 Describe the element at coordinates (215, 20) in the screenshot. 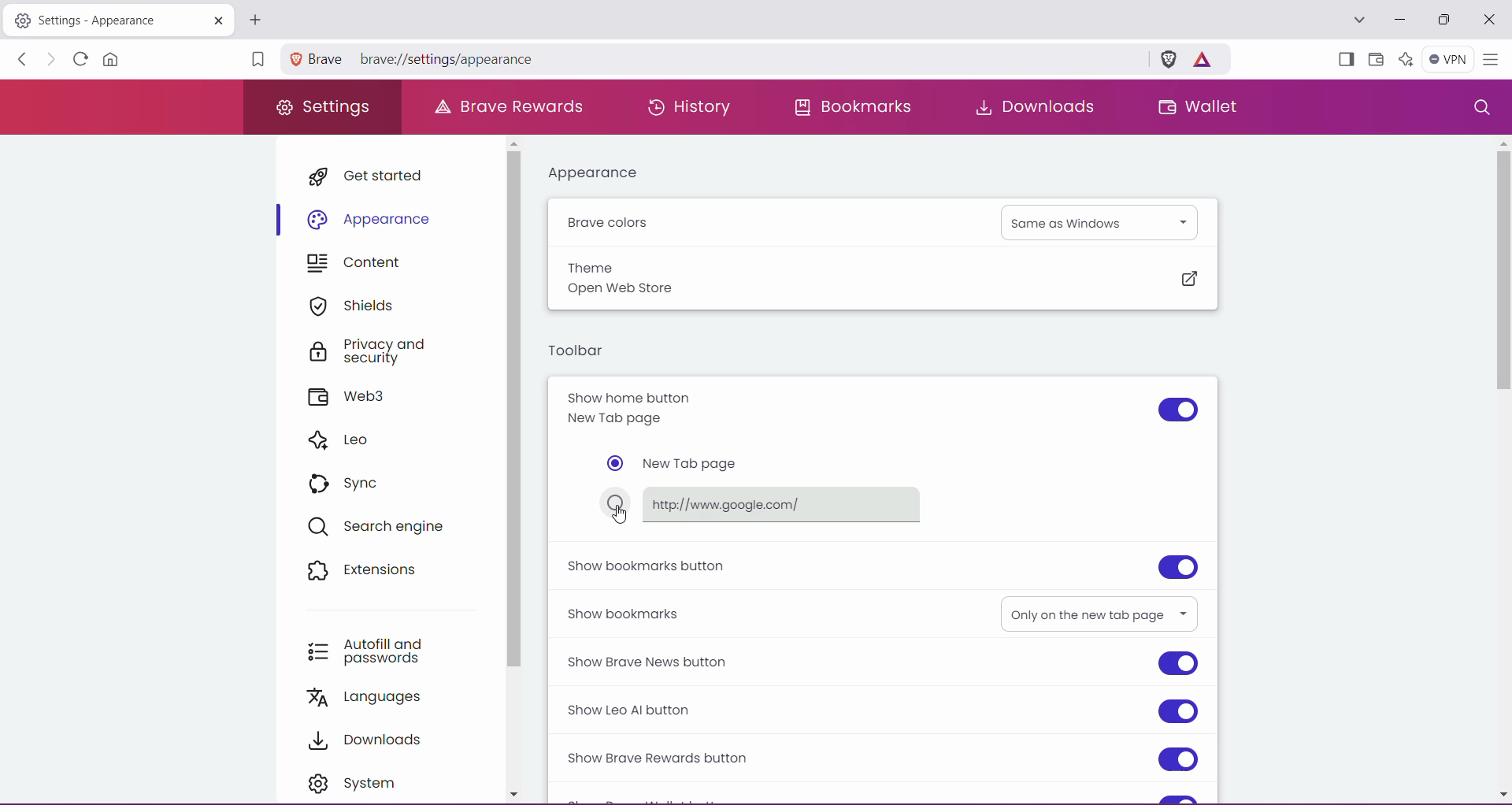

I see `Cose Tab` at that location.